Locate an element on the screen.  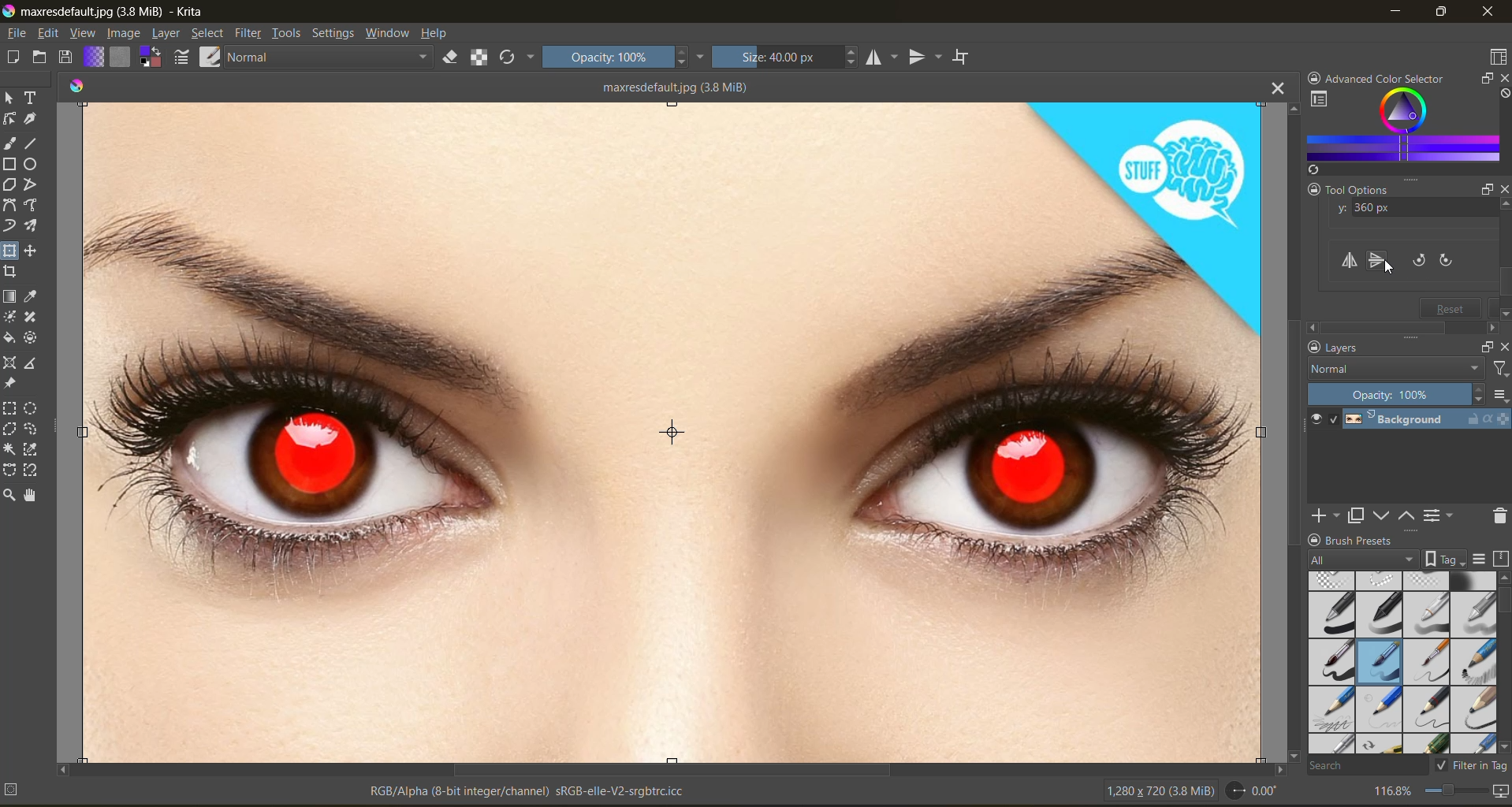
size is located at coordinates (785, 58).